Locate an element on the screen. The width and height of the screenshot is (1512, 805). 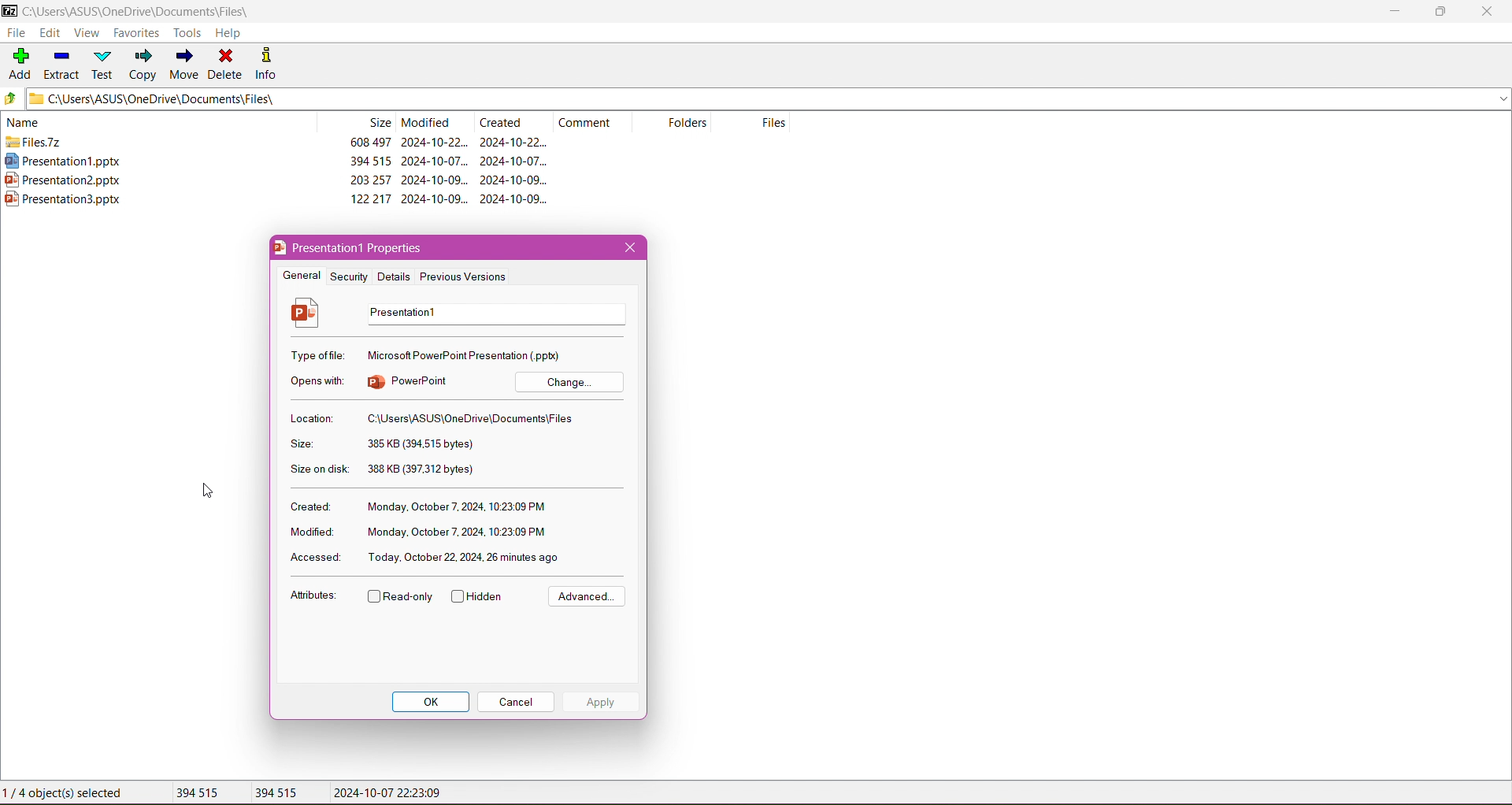
Info is located at coordinates (271, 65).